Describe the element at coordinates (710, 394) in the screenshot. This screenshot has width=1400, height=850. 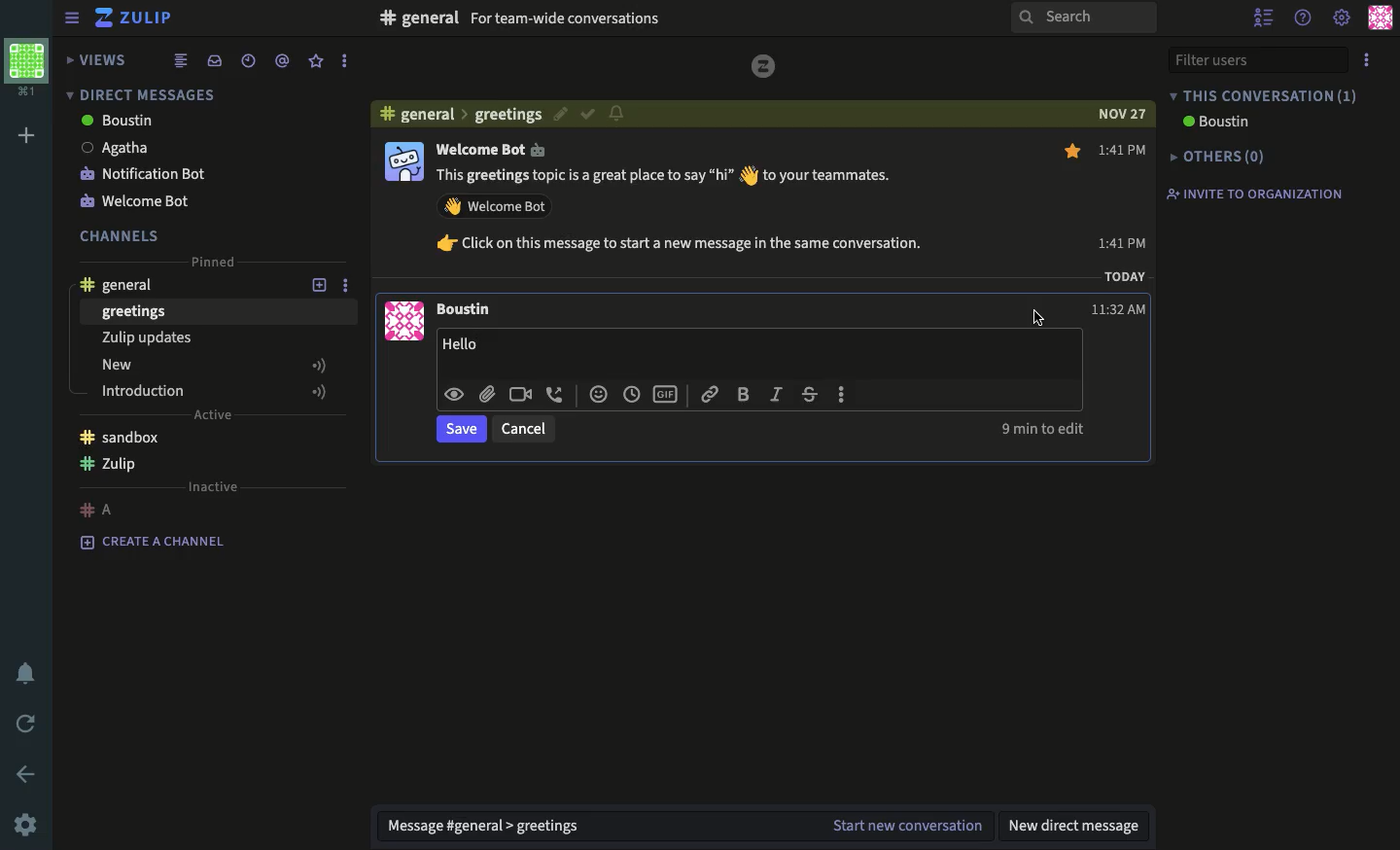
I see `link` at that location.